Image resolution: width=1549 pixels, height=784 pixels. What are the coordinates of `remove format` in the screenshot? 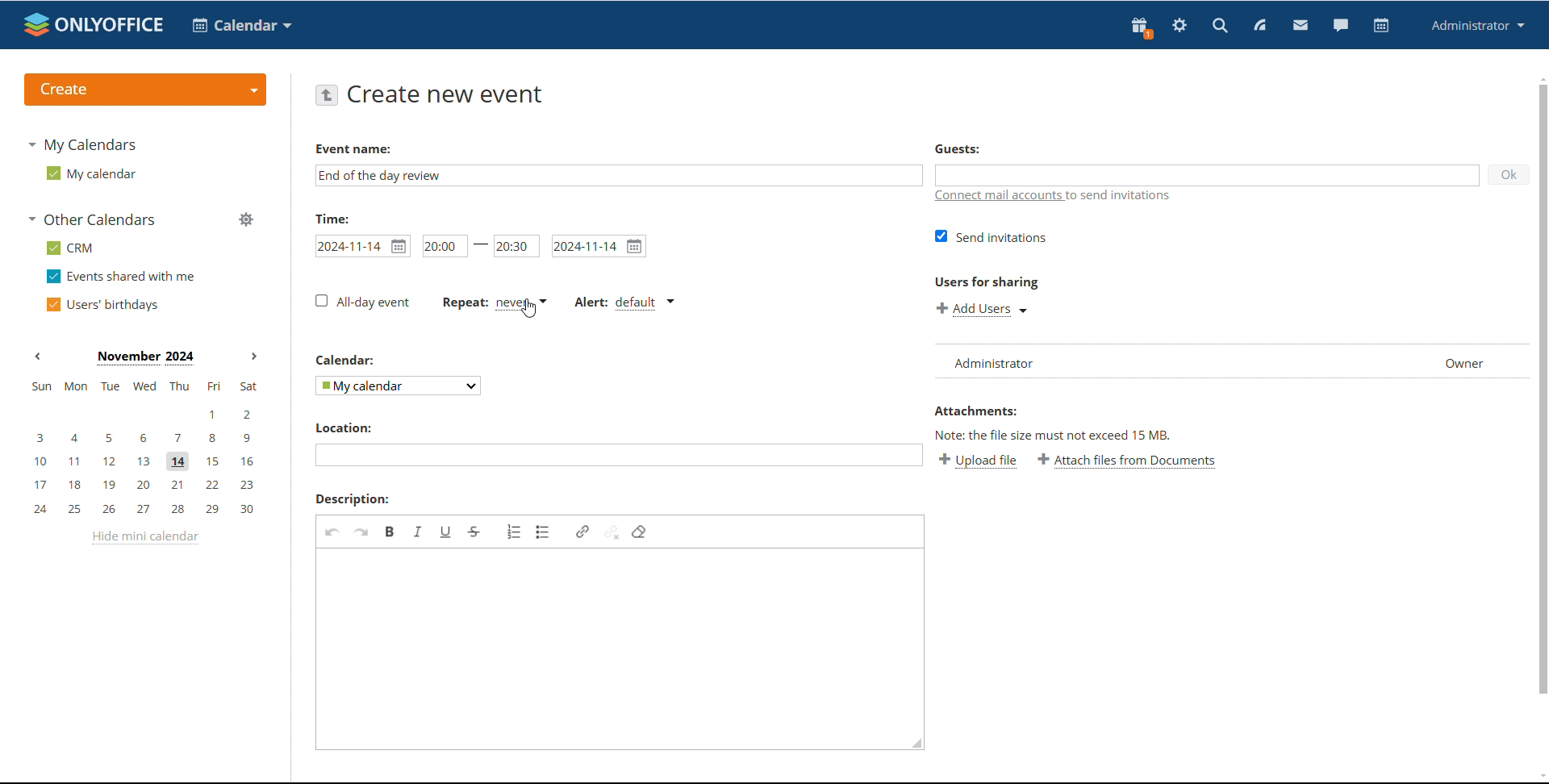 It's located at (639, 532).